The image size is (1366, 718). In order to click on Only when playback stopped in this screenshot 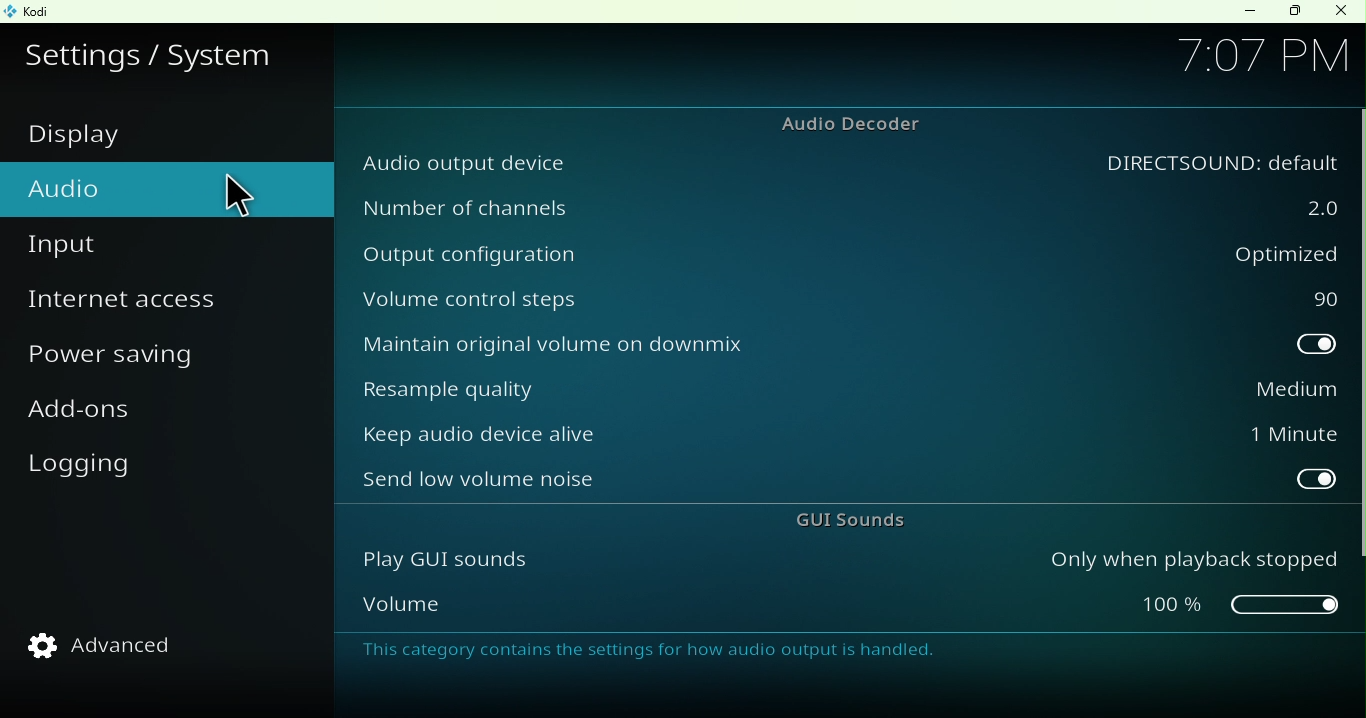, I will do `click(1192, 563)`.